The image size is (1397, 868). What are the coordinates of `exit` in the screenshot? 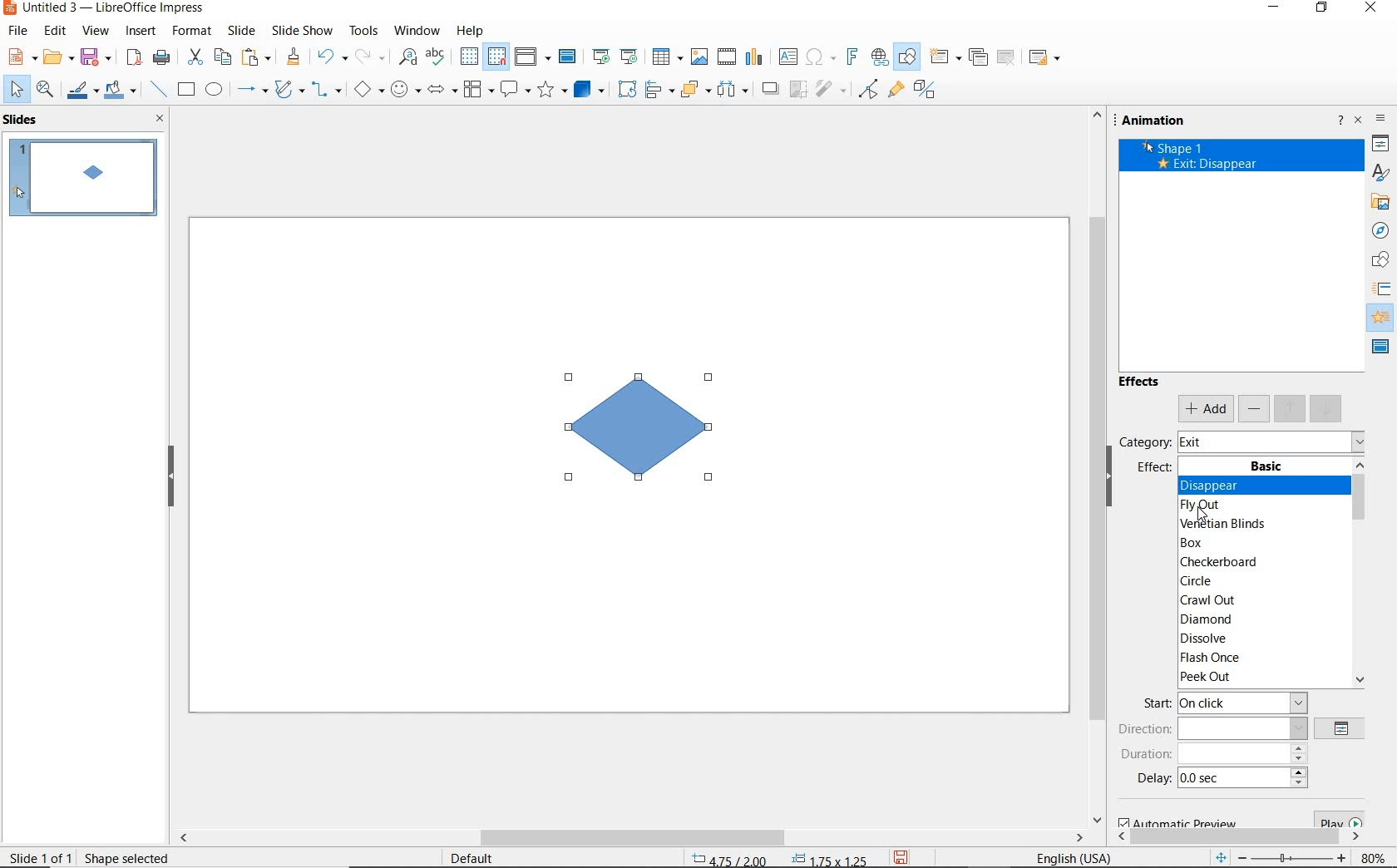 It's located at (1270, 441).